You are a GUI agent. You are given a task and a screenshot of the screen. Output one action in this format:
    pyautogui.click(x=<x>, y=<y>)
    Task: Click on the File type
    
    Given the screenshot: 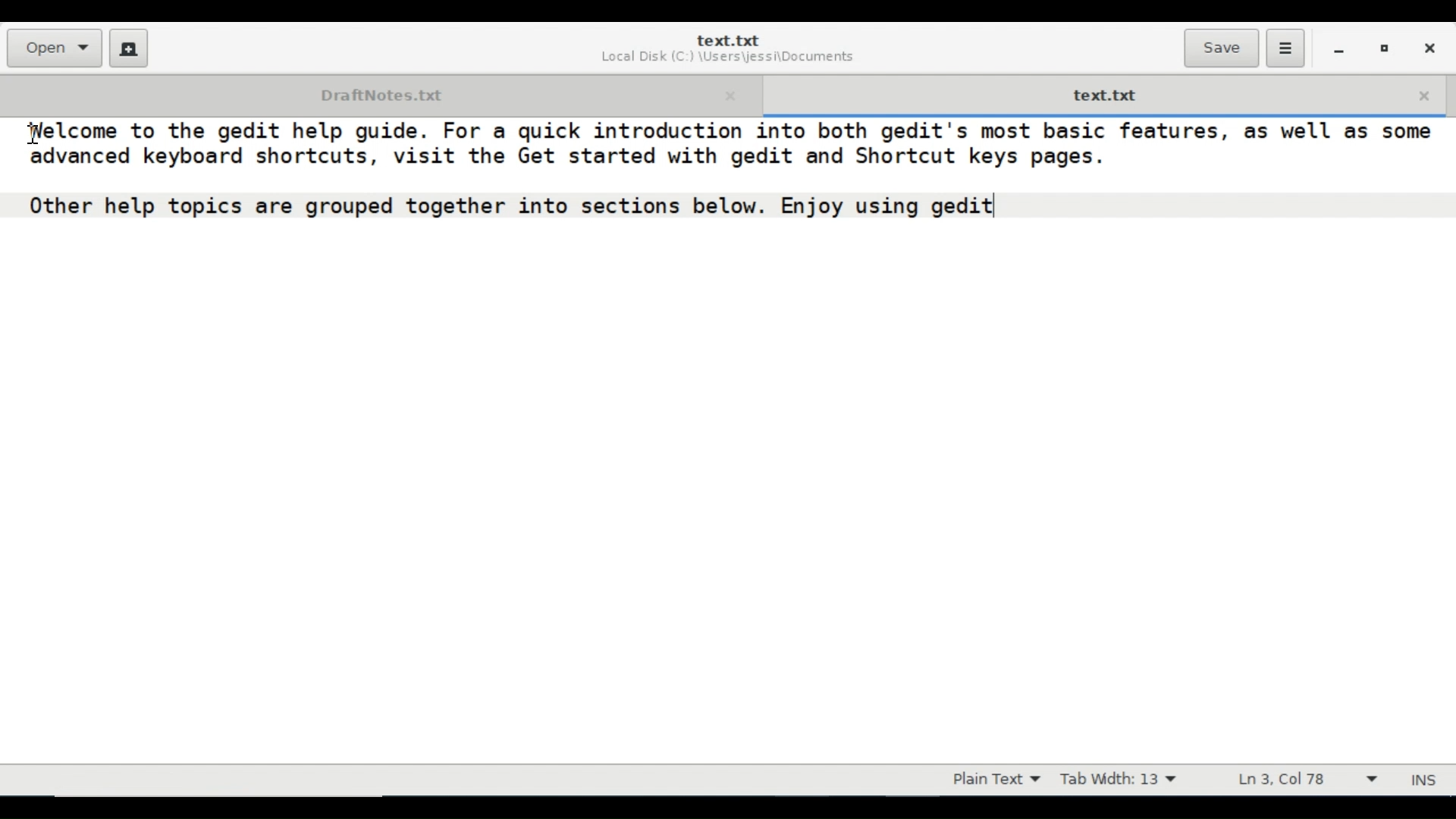 What is the action you would take?
    pyautogui.click(x=993, y=780)
    